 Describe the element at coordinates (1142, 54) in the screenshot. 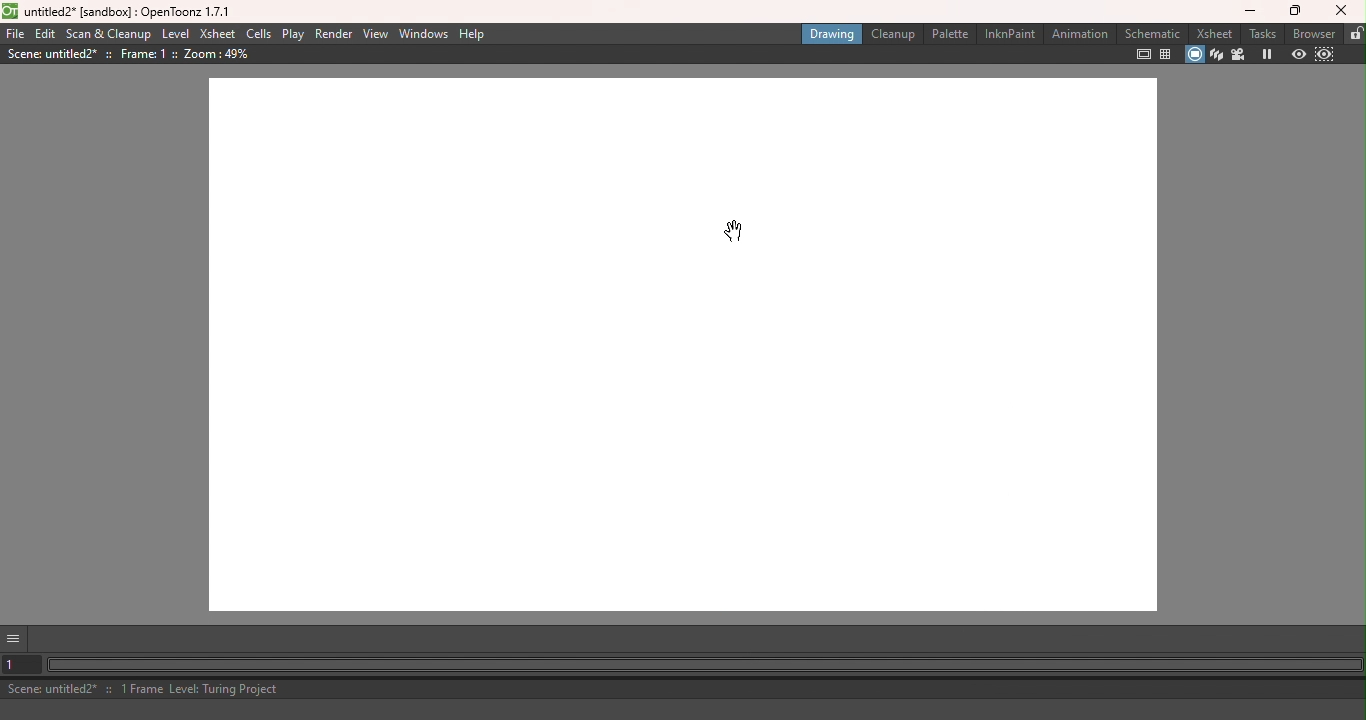

I see `Safe area` at that location.